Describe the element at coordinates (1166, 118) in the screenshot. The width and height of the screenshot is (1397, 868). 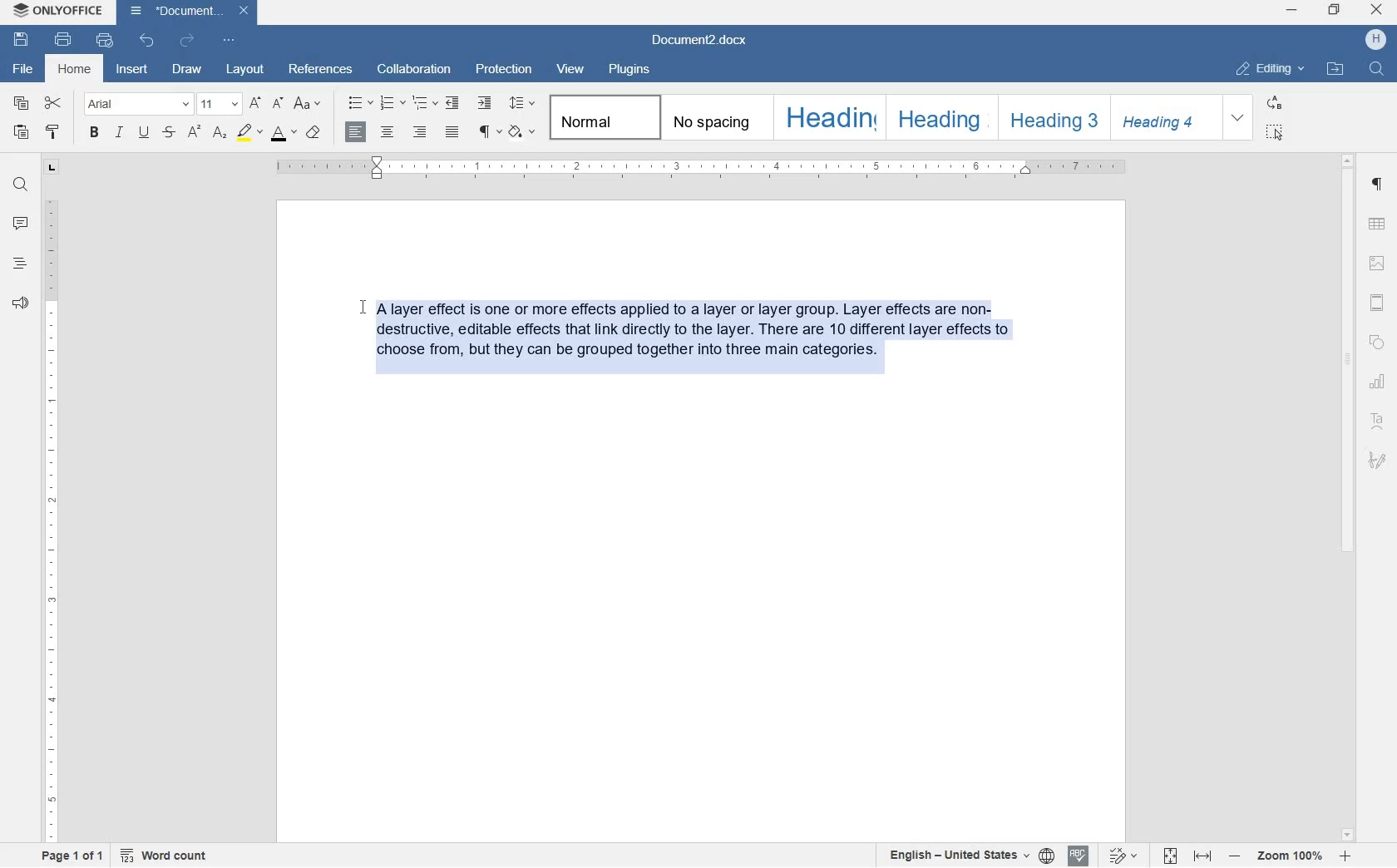
I see `heading 4` at that location.